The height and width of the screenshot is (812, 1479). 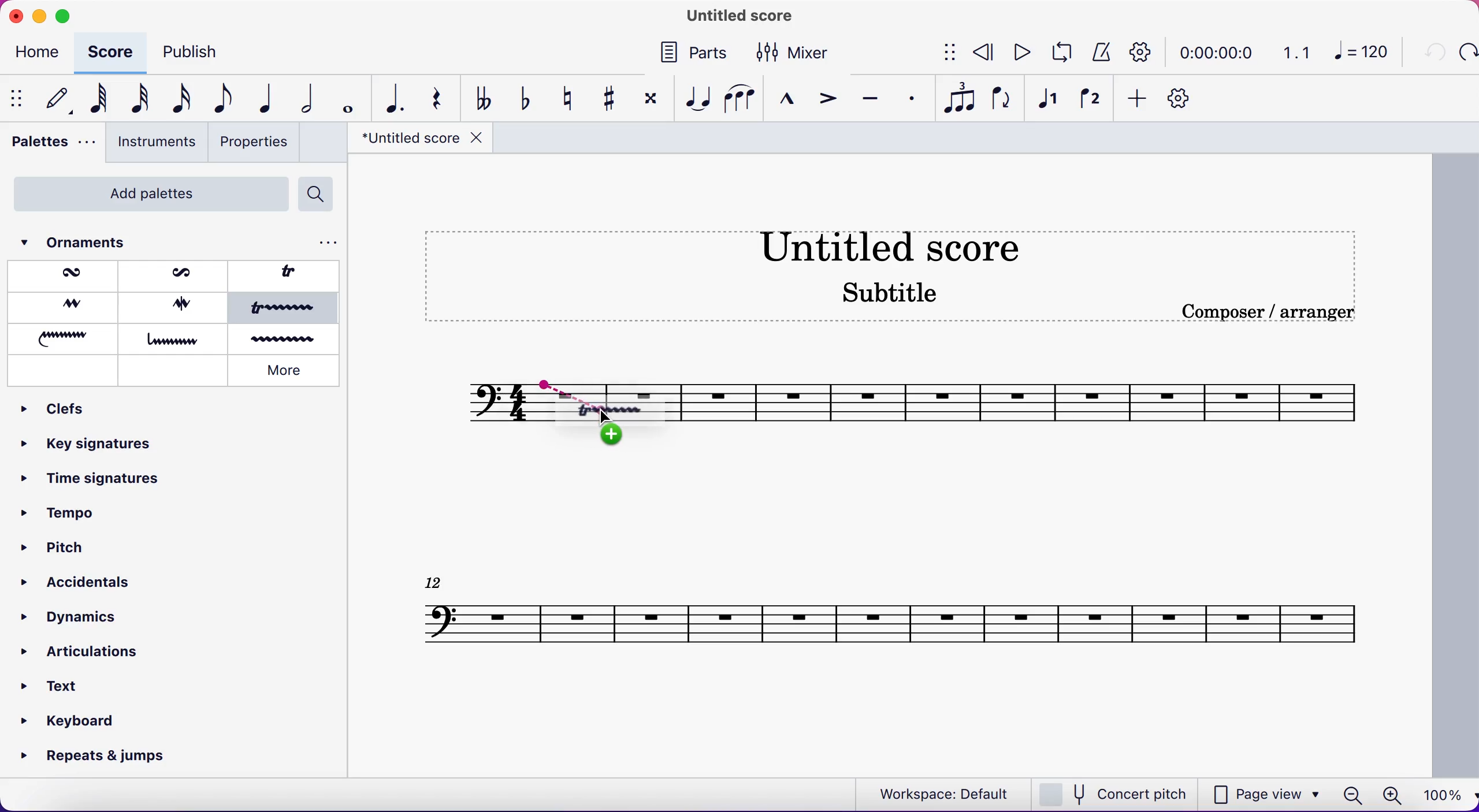 I want to click on keyboard, so click(x=72, y=720).